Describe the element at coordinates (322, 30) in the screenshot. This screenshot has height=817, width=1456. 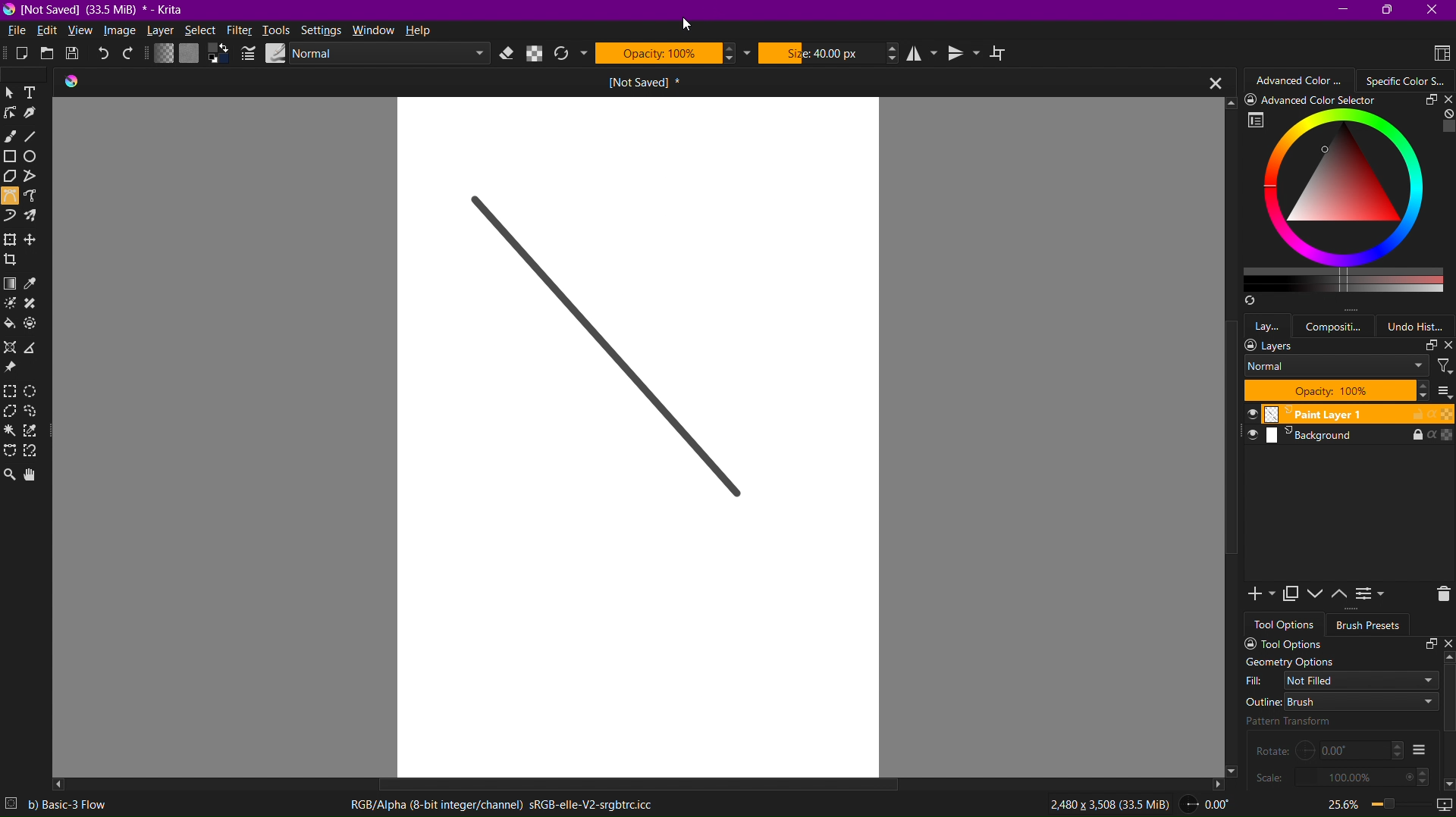
I see `Settings` at that location.